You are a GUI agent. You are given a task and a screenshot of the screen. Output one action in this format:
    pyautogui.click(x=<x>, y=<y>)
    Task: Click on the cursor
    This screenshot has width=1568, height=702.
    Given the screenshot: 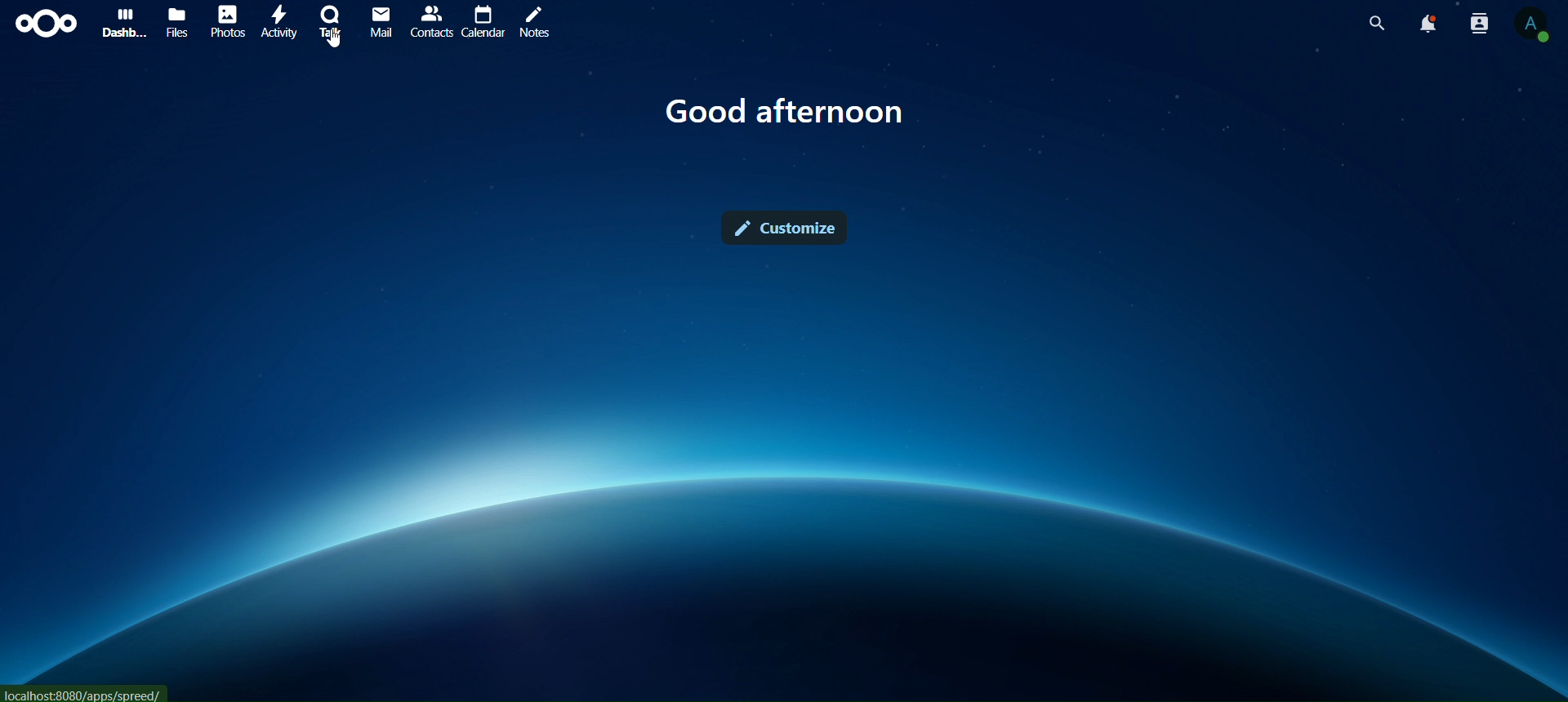 What is the action you would take?
    pyautogui.click(x=334, y=42)
    